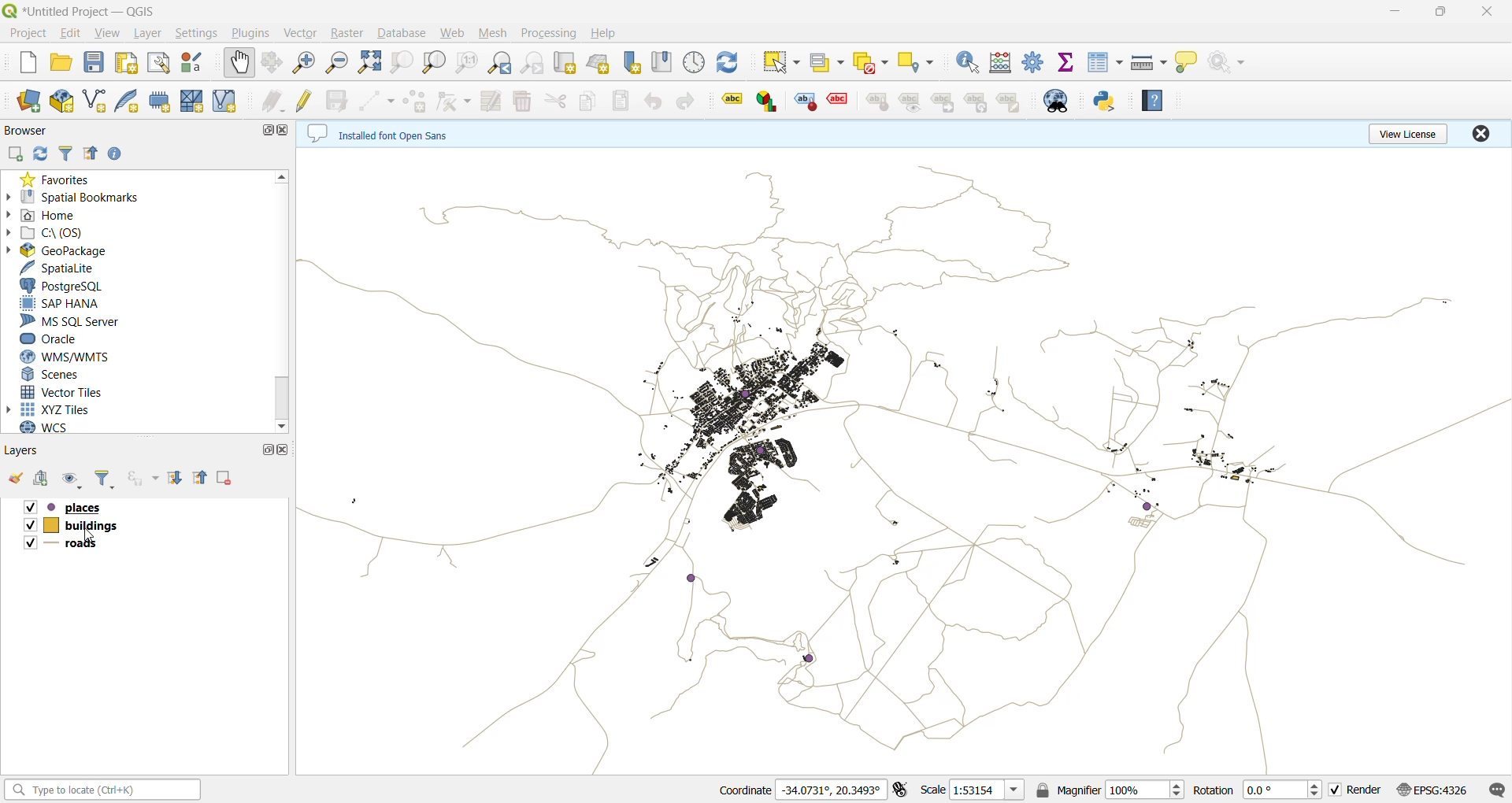 The height and width of the screenshot is (803, 1512). What do you see at coordinates (57, 339) in the screenshot?
I see `oracle` at bounding box center [57, 339].